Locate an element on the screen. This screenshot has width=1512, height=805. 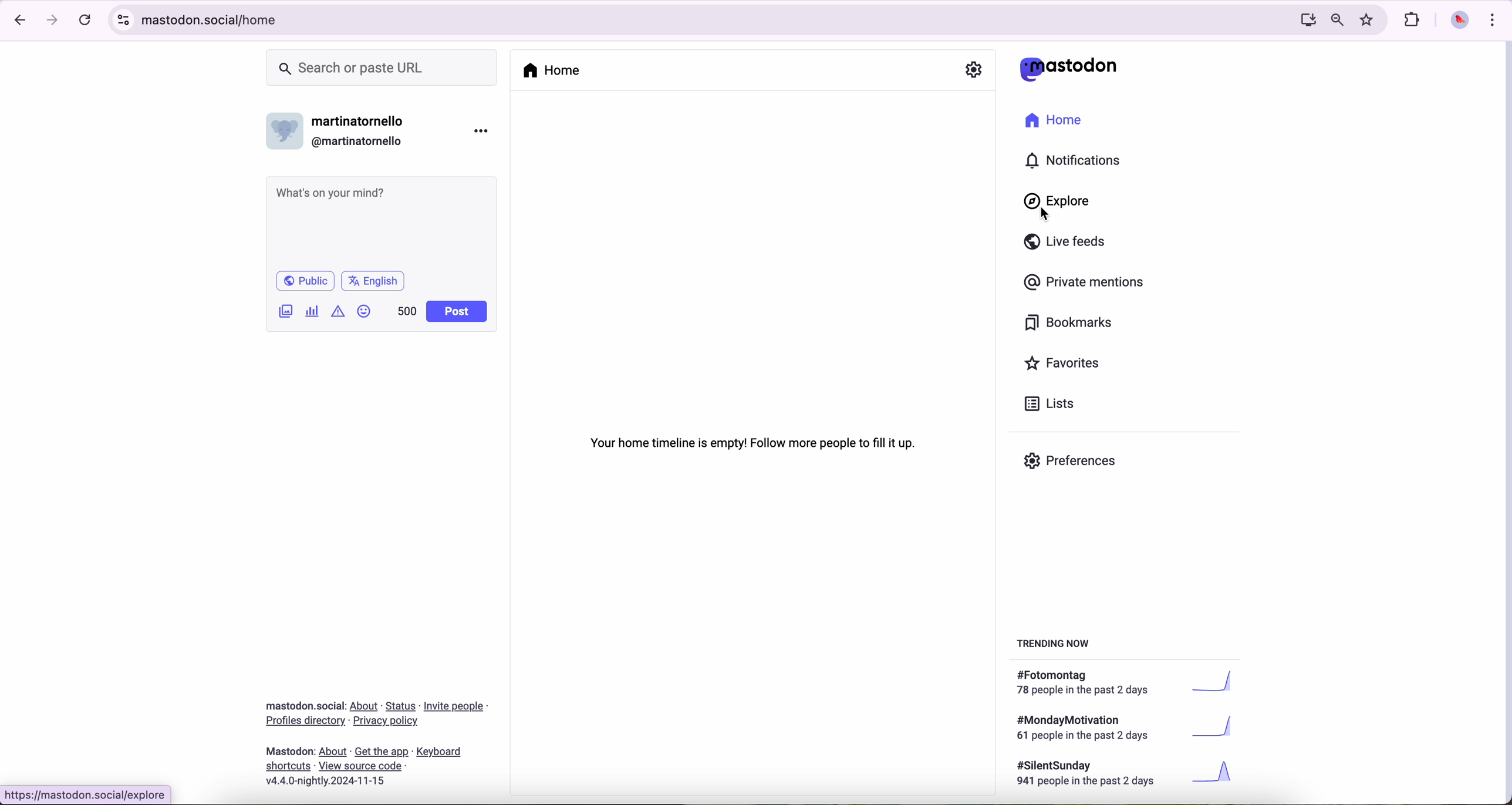
#silentsunday is located at coordinates (1128, 775).